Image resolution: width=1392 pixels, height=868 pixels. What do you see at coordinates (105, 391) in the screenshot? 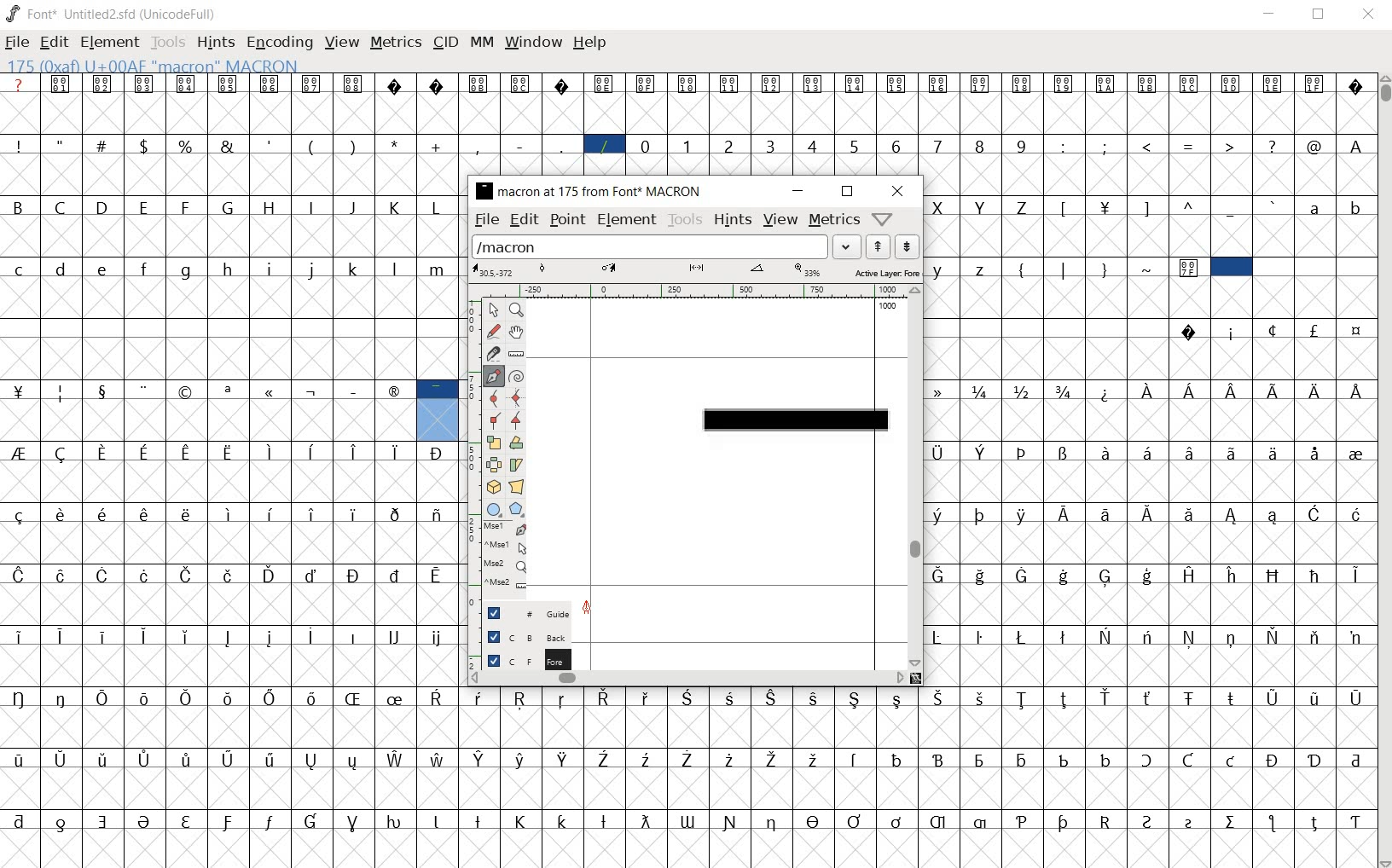
I see `Symbol` at bounding box center [105, 391].